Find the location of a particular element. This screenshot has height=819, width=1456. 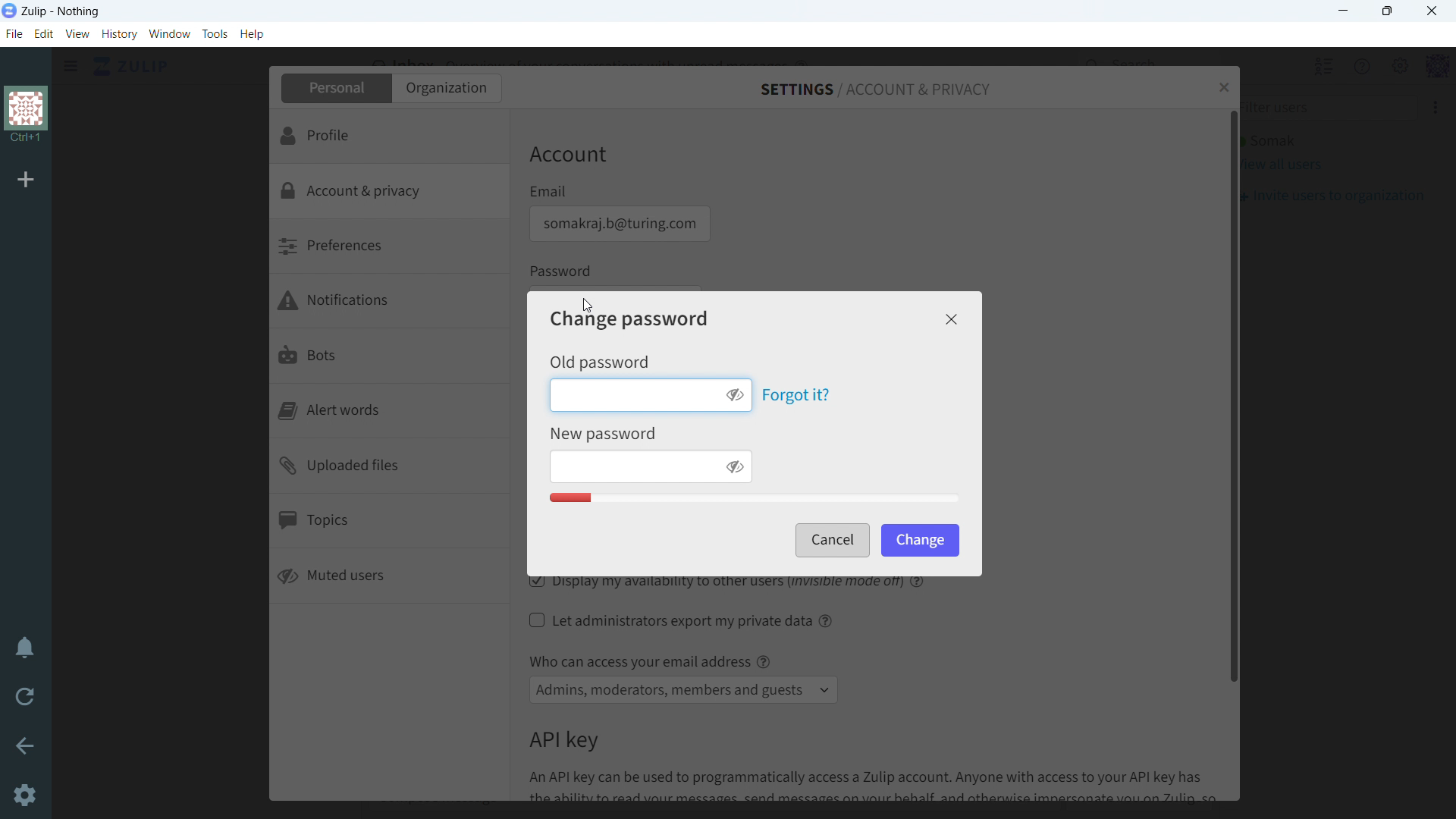

help is located at coordinates (252, 33).